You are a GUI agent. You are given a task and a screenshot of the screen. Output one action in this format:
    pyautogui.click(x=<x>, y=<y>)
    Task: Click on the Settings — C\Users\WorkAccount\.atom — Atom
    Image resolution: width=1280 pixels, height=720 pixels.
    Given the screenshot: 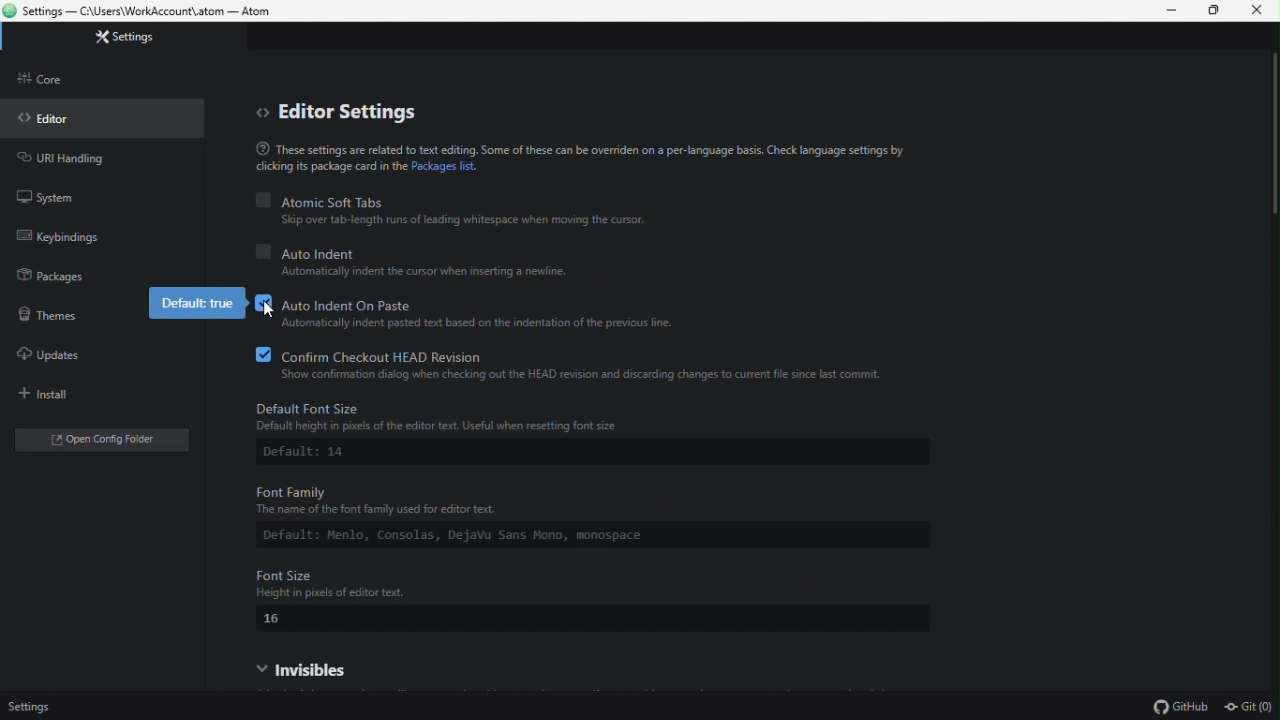 What is the action you would take?
    pyautogui.click(x=151, y=12)
    